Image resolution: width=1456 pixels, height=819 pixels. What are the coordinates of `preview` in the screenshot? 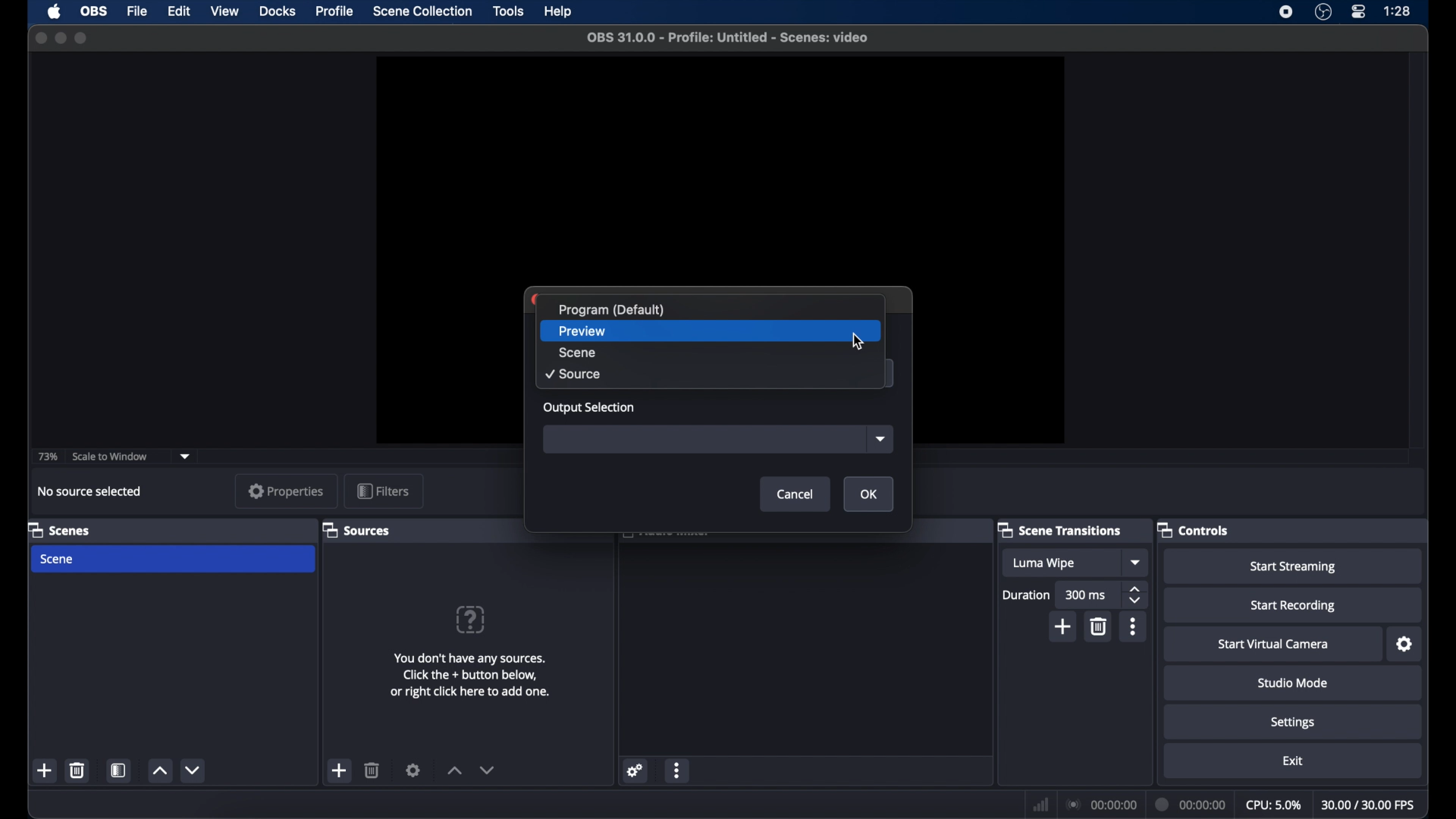 It's located at (711, 331).